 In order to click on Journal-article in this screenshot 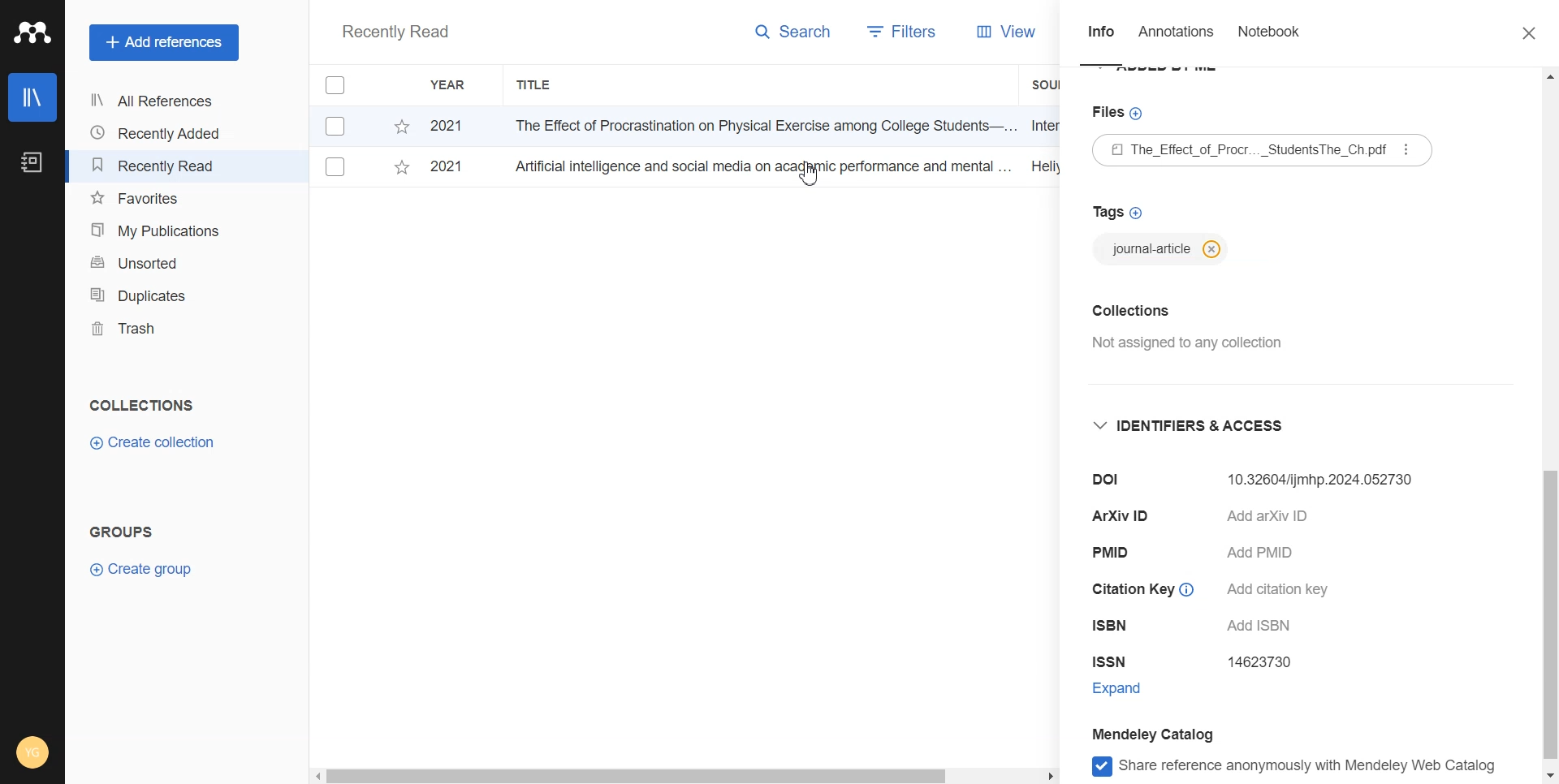, I will do `click(1164, 248)`.